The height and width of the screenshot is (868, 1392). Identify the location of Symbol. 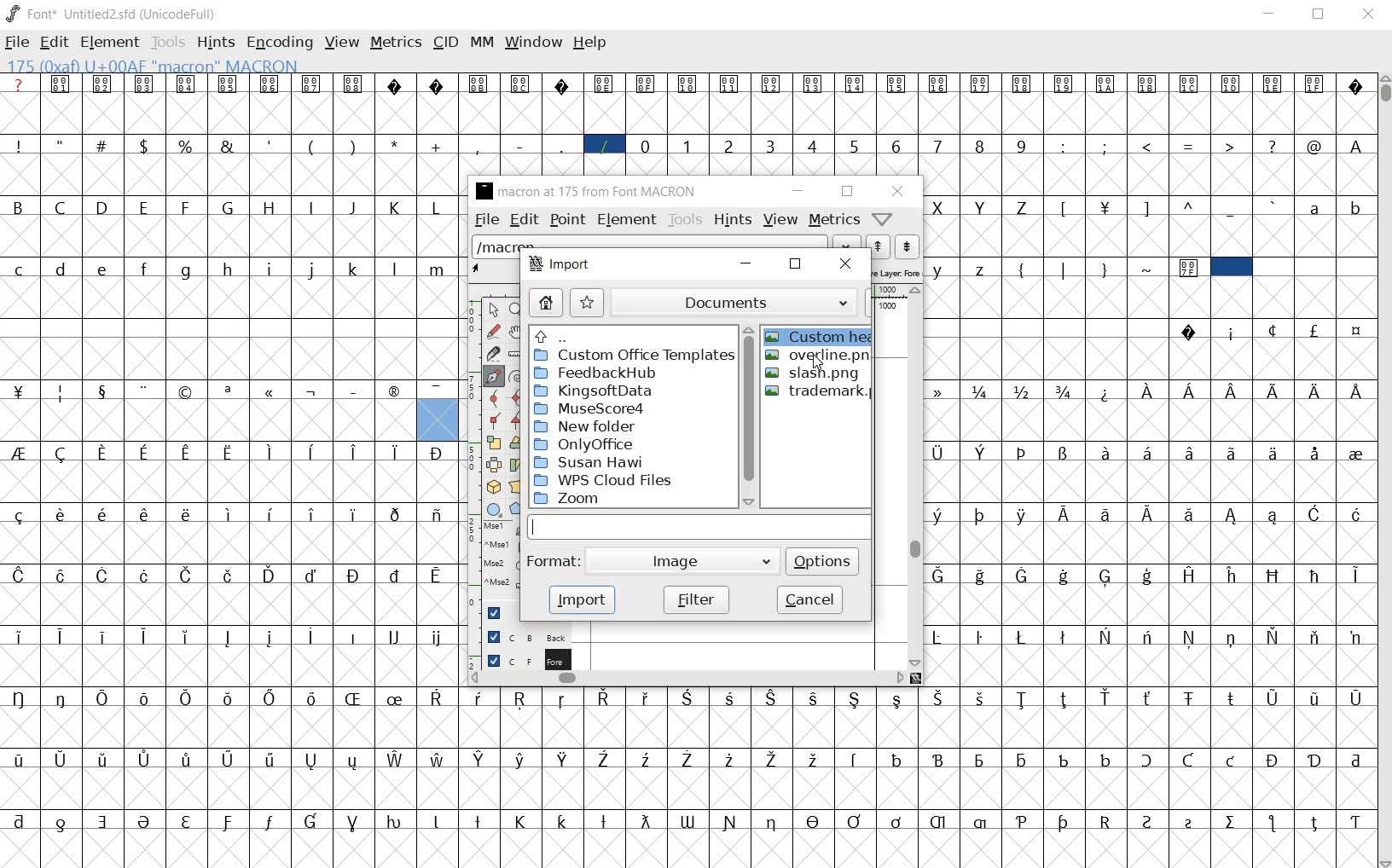
(1273, 823).